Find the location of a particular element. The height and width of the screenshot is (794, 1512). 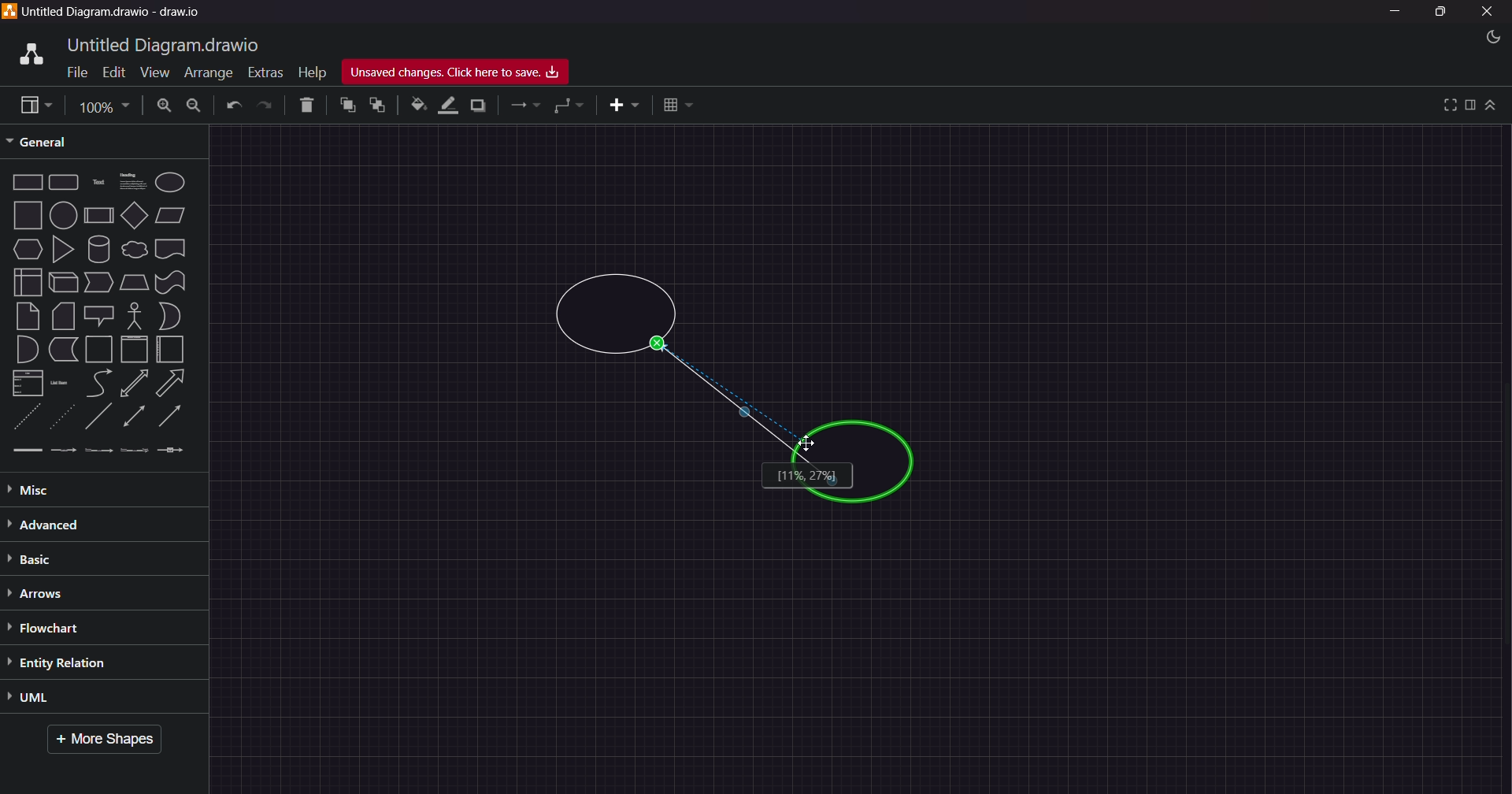

Arrange is located at coordinates (205, 74).